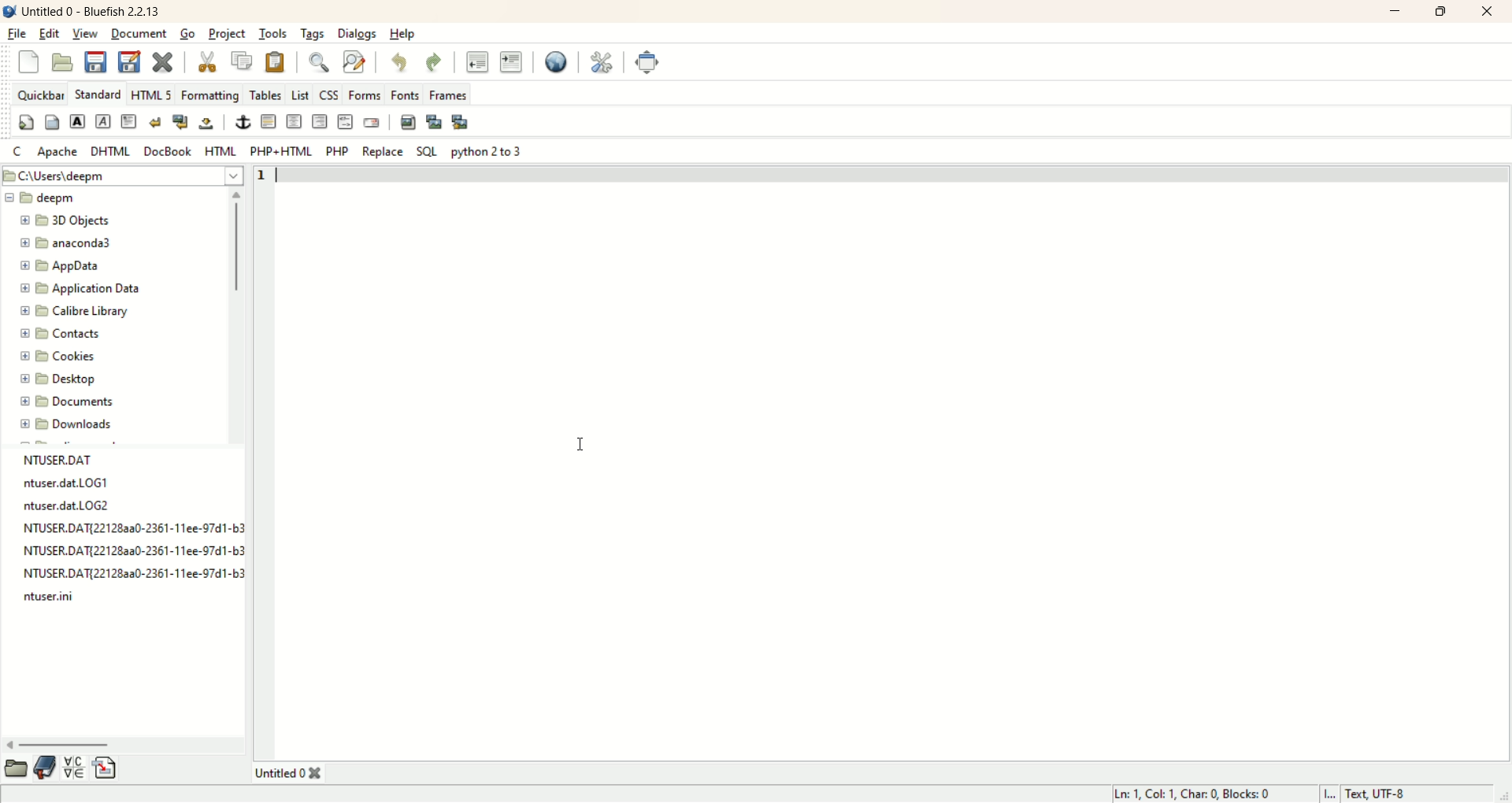 The image size is (1512, 803). What do you see at coordinates (561, 61) in the screenshot?
I see `preview in brouse` at bounding box center [561, 61].